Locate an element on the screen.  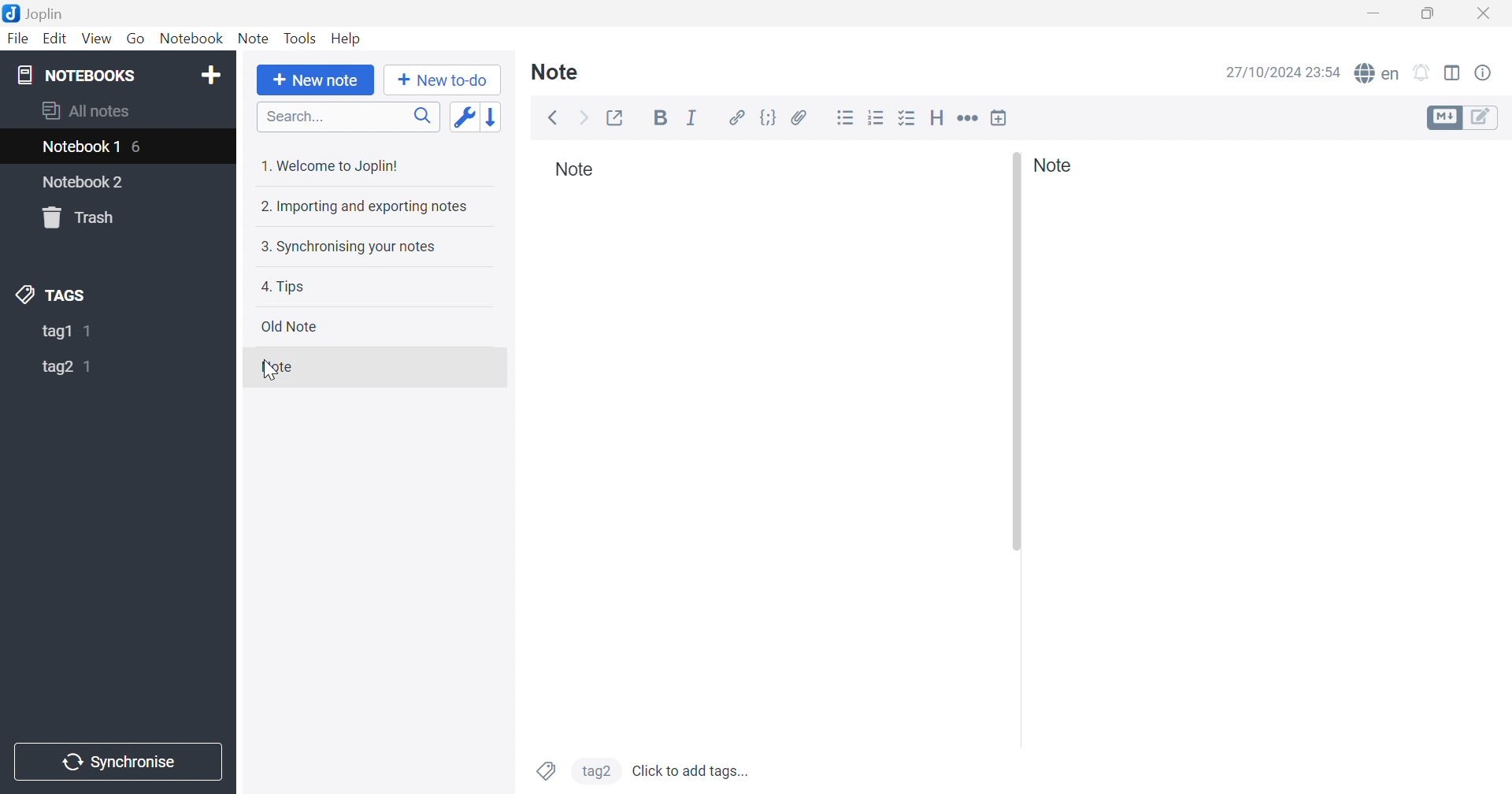
Synchronise is located at coordinates (116, 764).